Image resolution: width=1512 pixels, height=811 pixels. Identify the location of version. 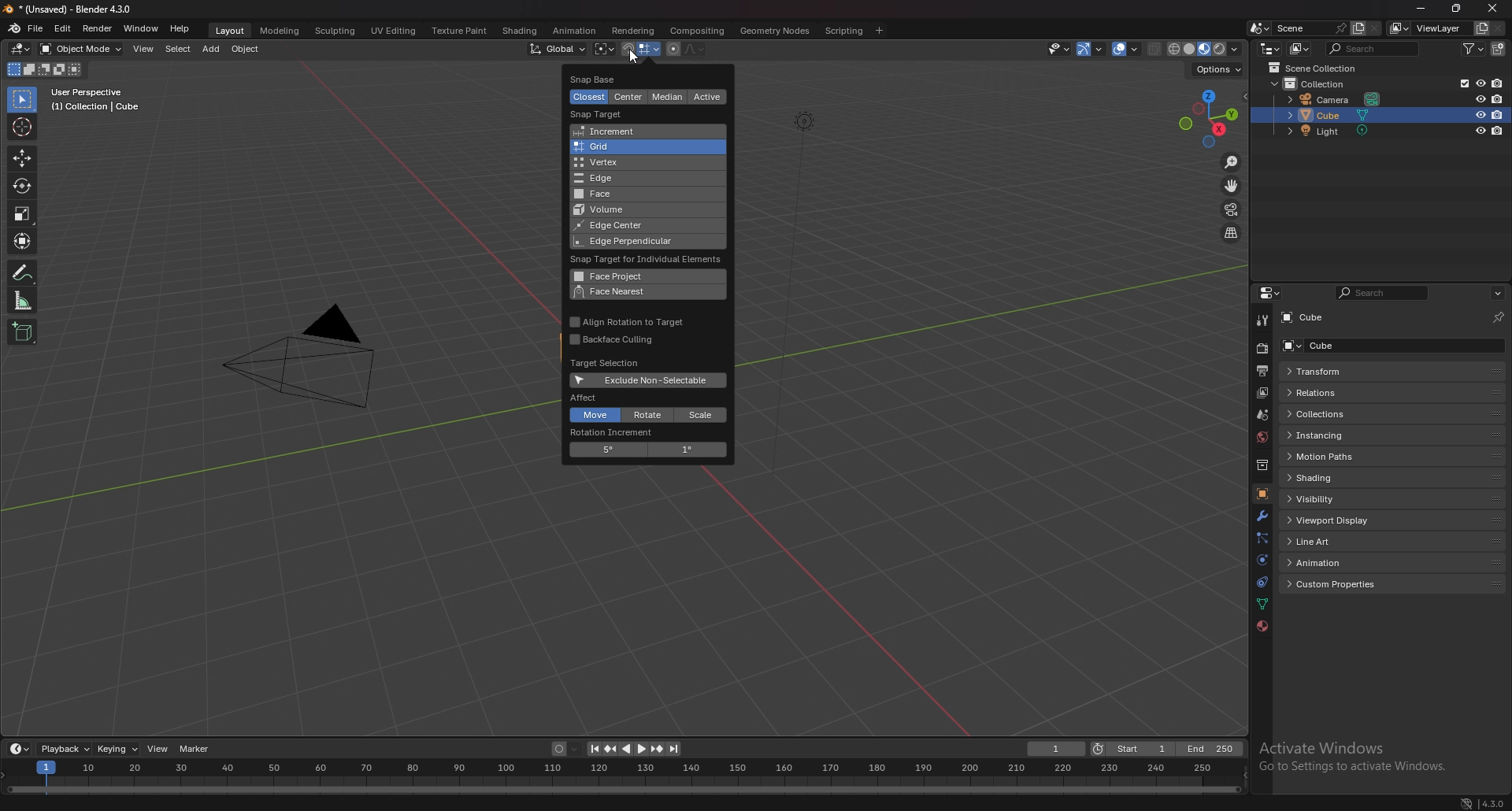
(1492, 802).